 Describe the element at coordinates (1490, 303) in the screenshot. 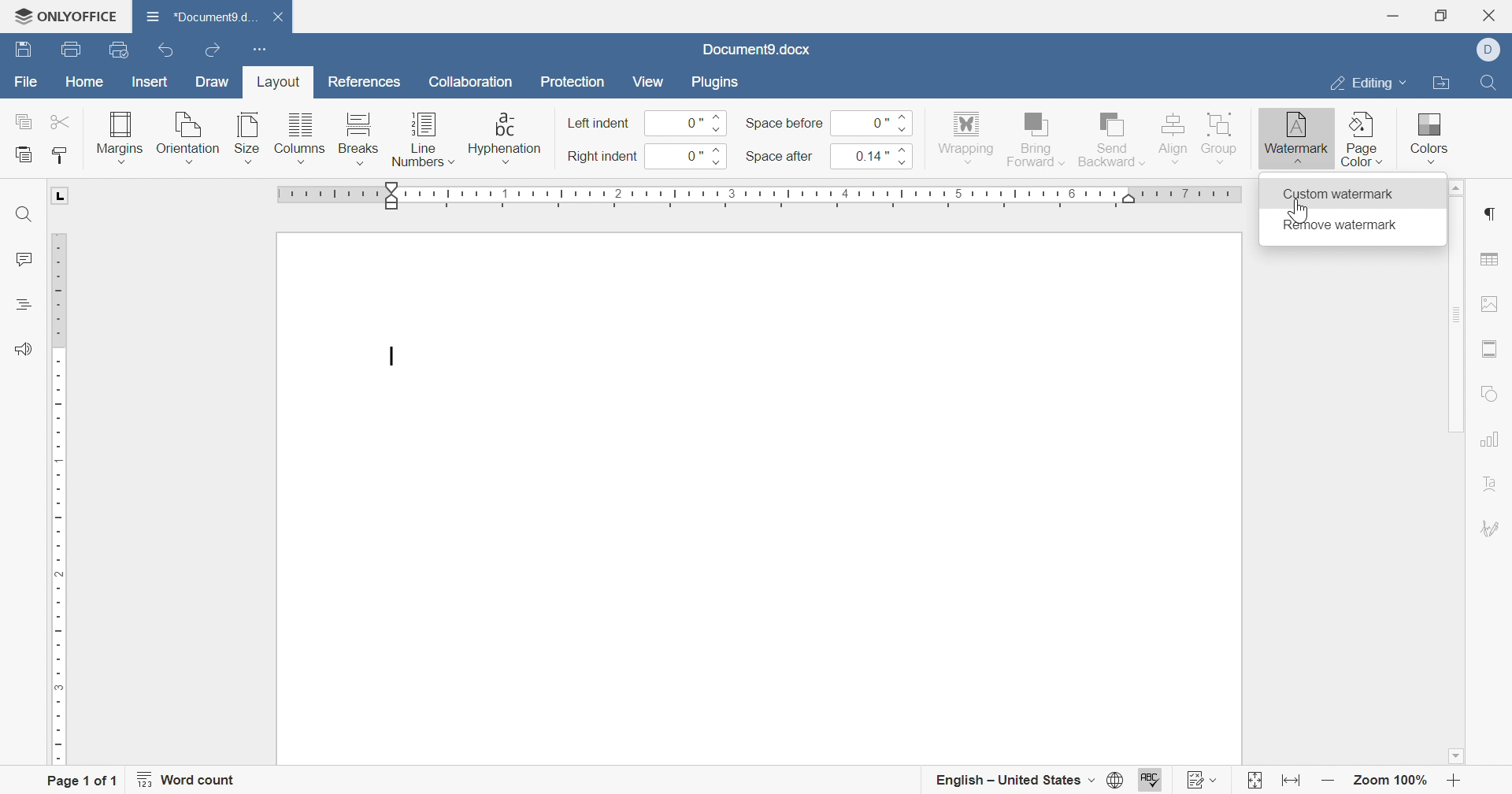

I see `image settings` at that location.